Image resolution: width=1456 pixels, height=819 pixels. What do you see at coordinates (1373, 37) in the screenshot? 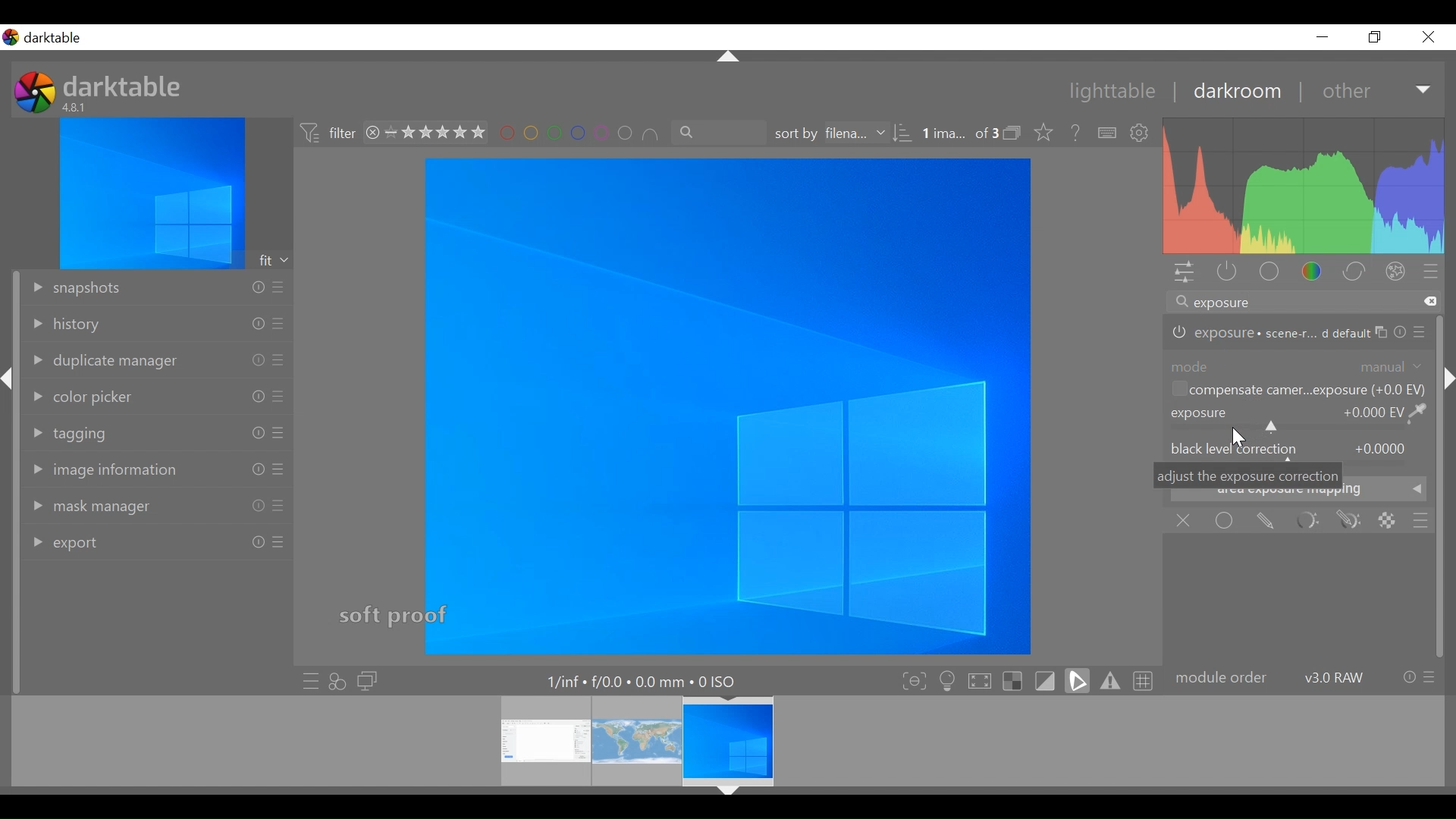
I see `restore` at bounding box center [1373, 37].